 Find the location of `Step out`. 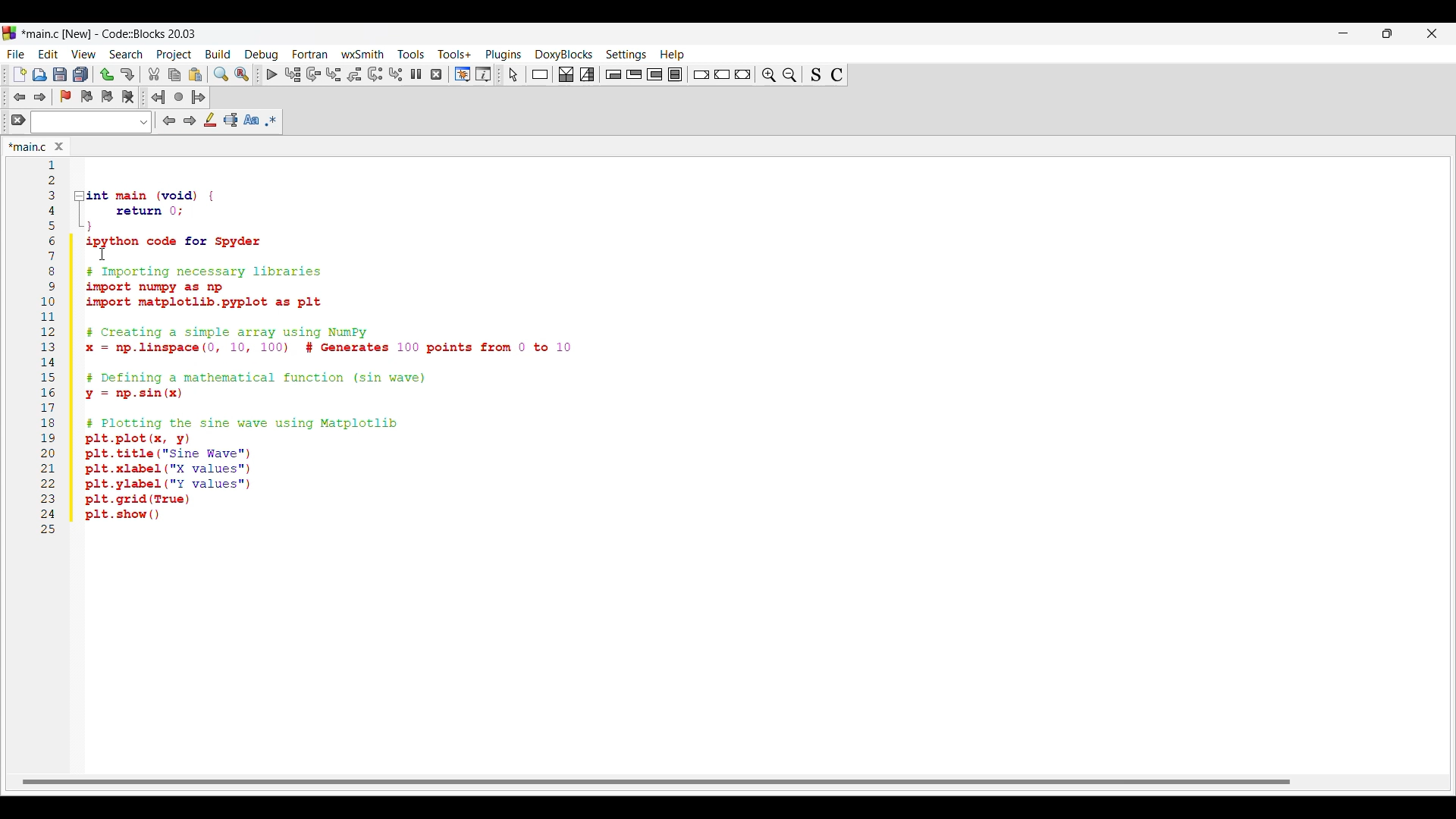

Step out is located at coordinates (353, 74).